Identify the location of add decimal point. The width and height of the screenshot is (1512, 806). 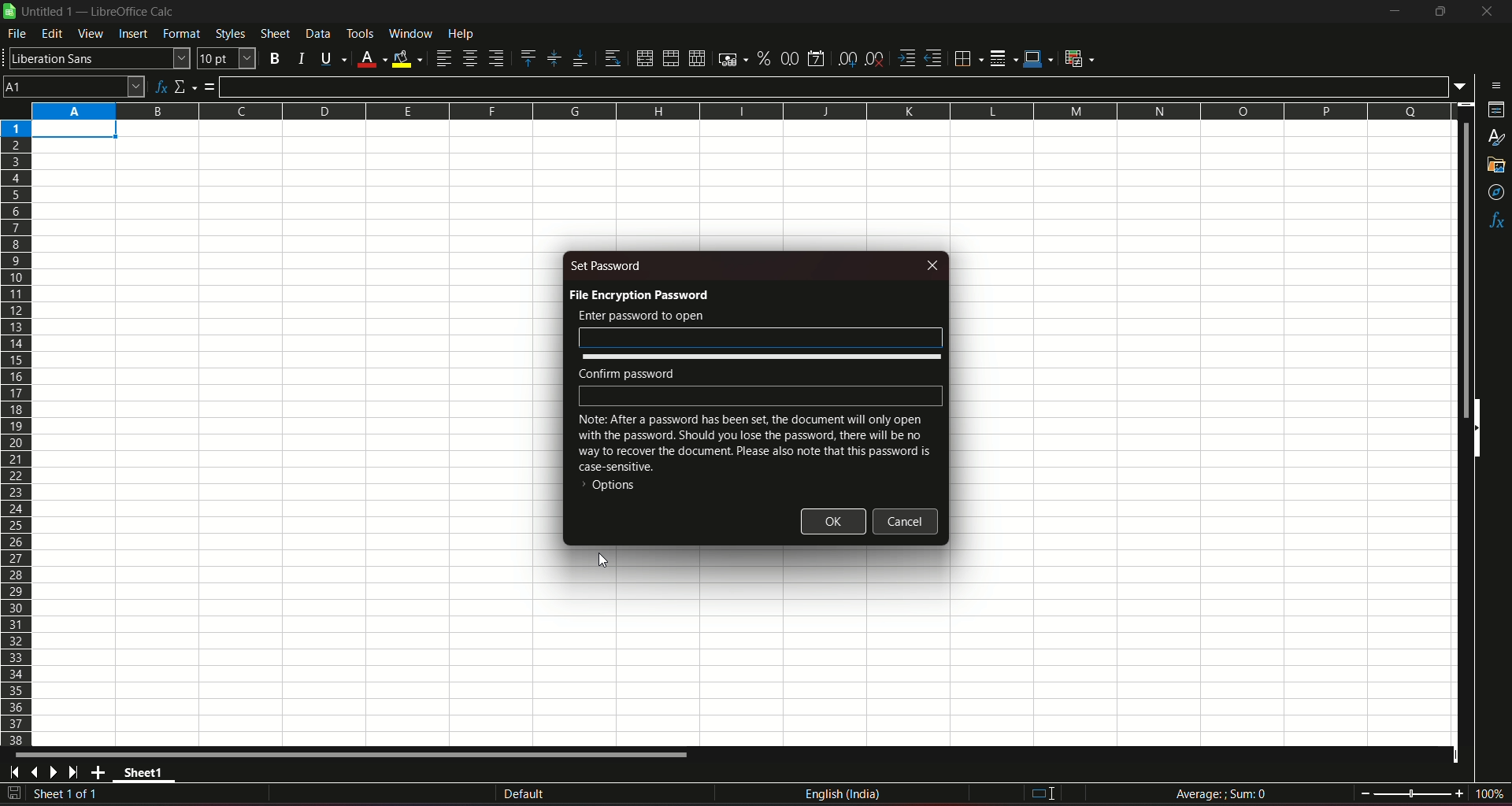
(849, 59).